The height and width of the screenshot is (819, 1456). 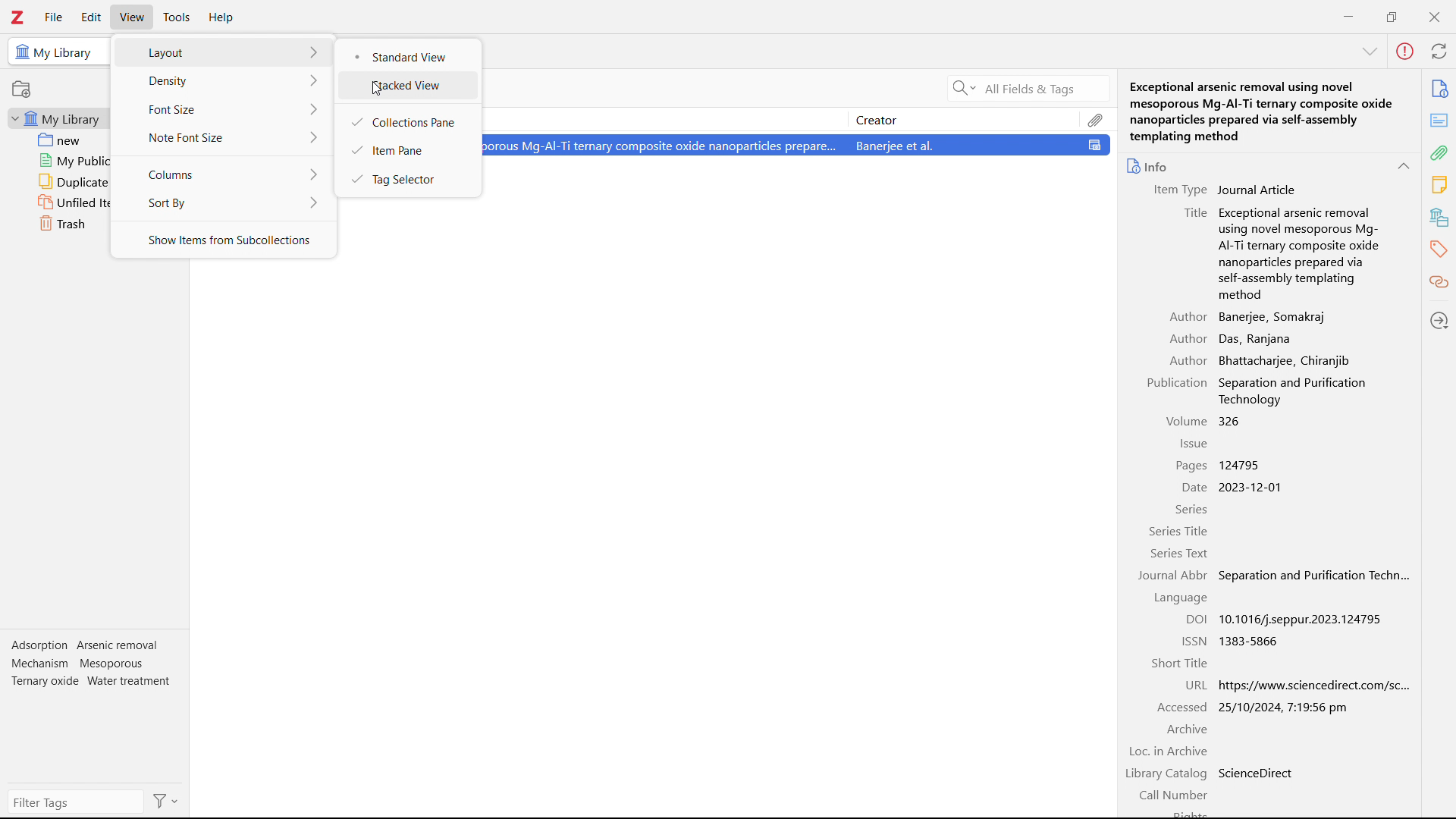 I want to click on DOI, so click(x=1194, y=620).